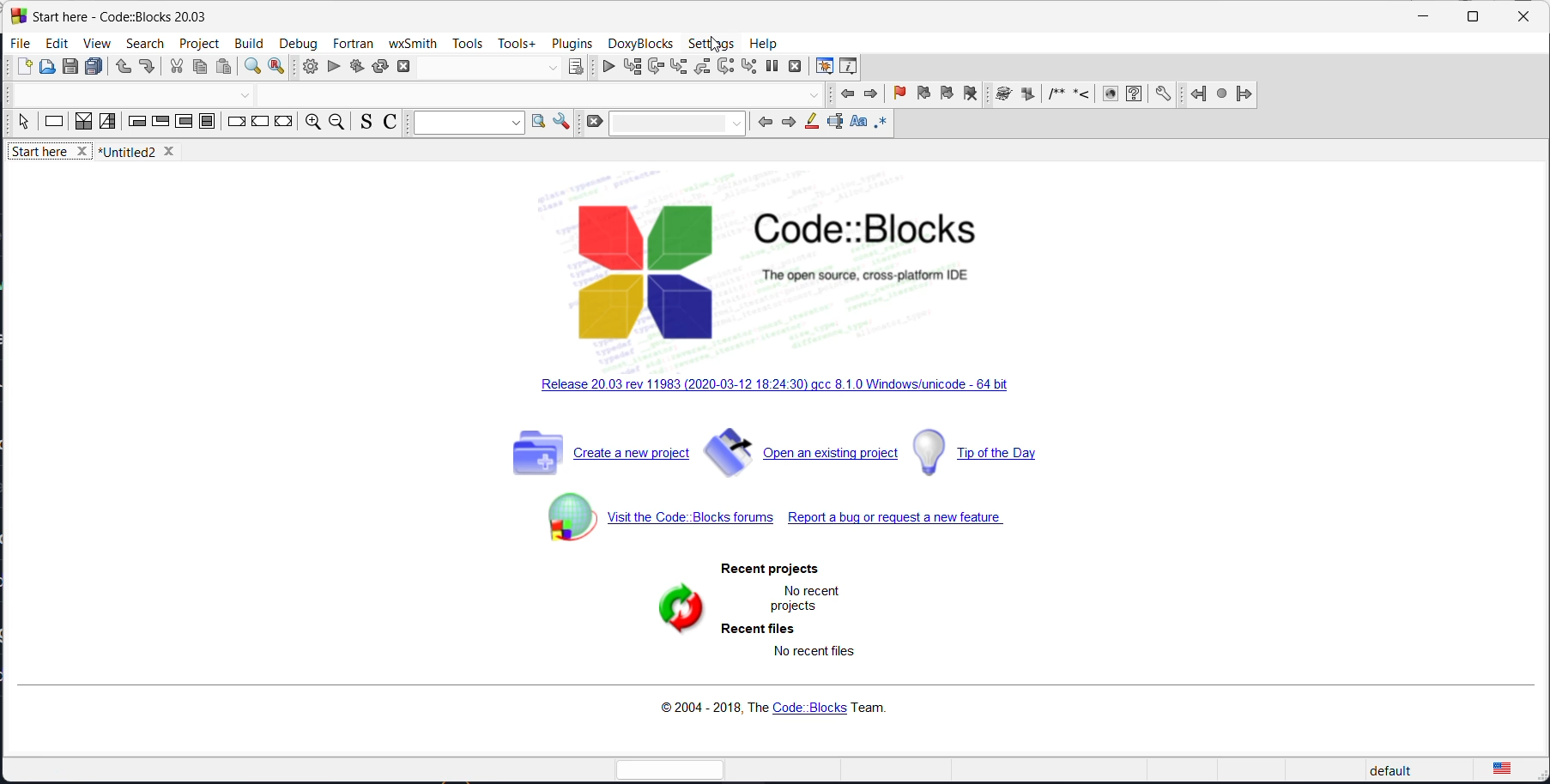 Image resolution: width=1550 pixels, height=784 pixels. I want to click on stop debugging, so click(796, 66).